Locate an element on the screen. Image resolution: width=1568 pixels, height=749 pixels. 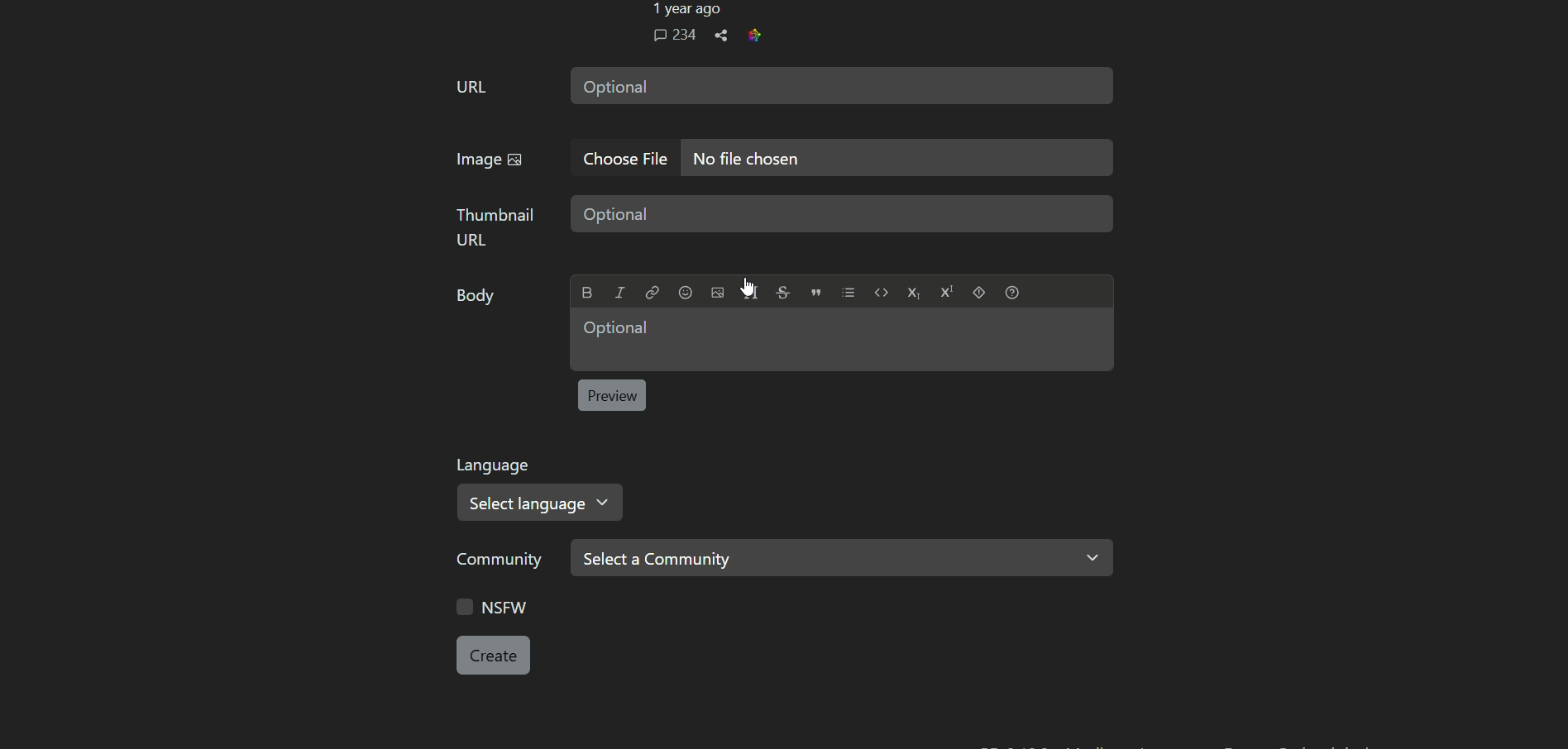
Strikethrough is located at coordinates (782, 292).